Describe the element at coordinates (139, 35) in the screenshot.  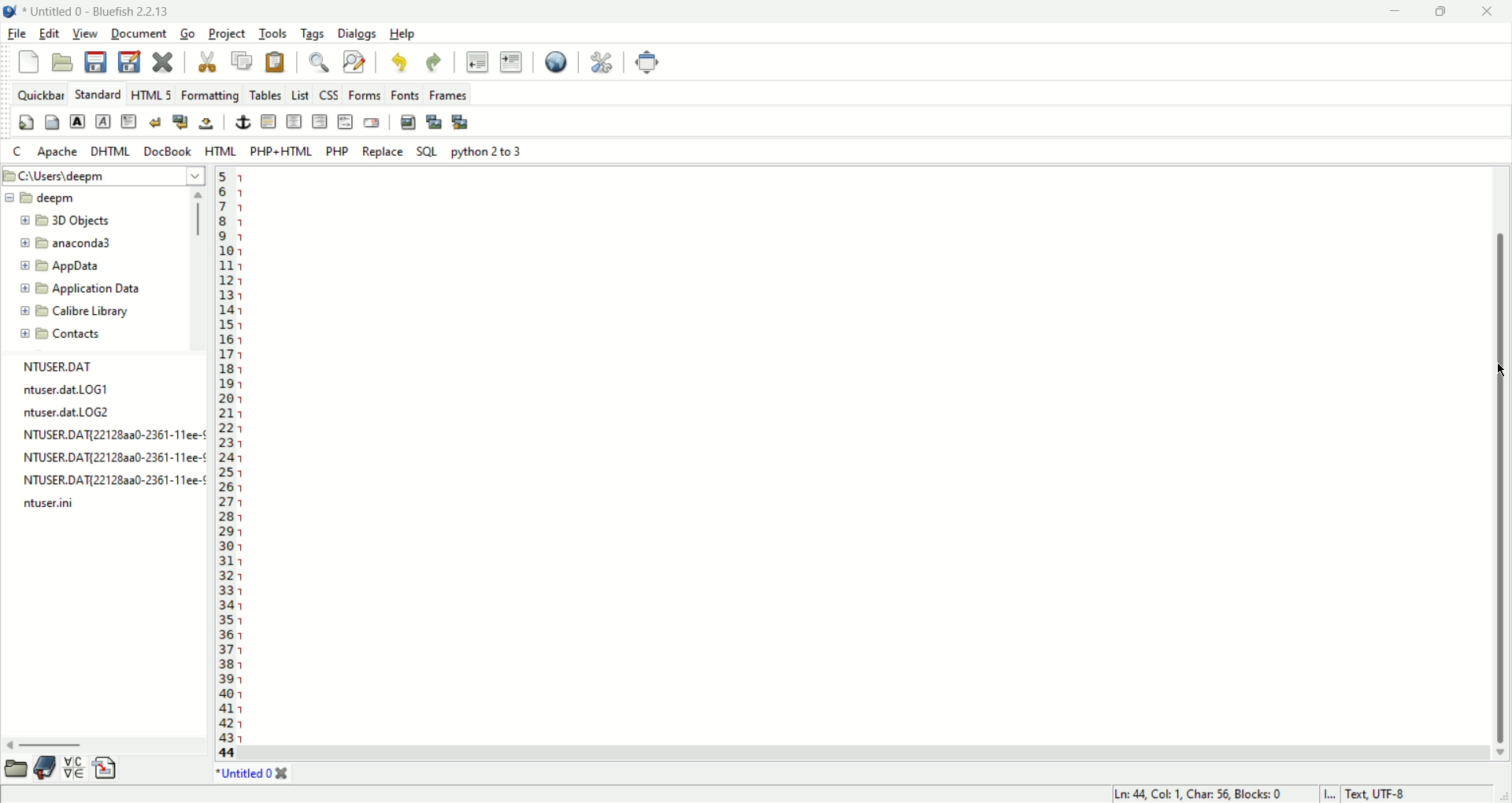
I see `document` at that location.